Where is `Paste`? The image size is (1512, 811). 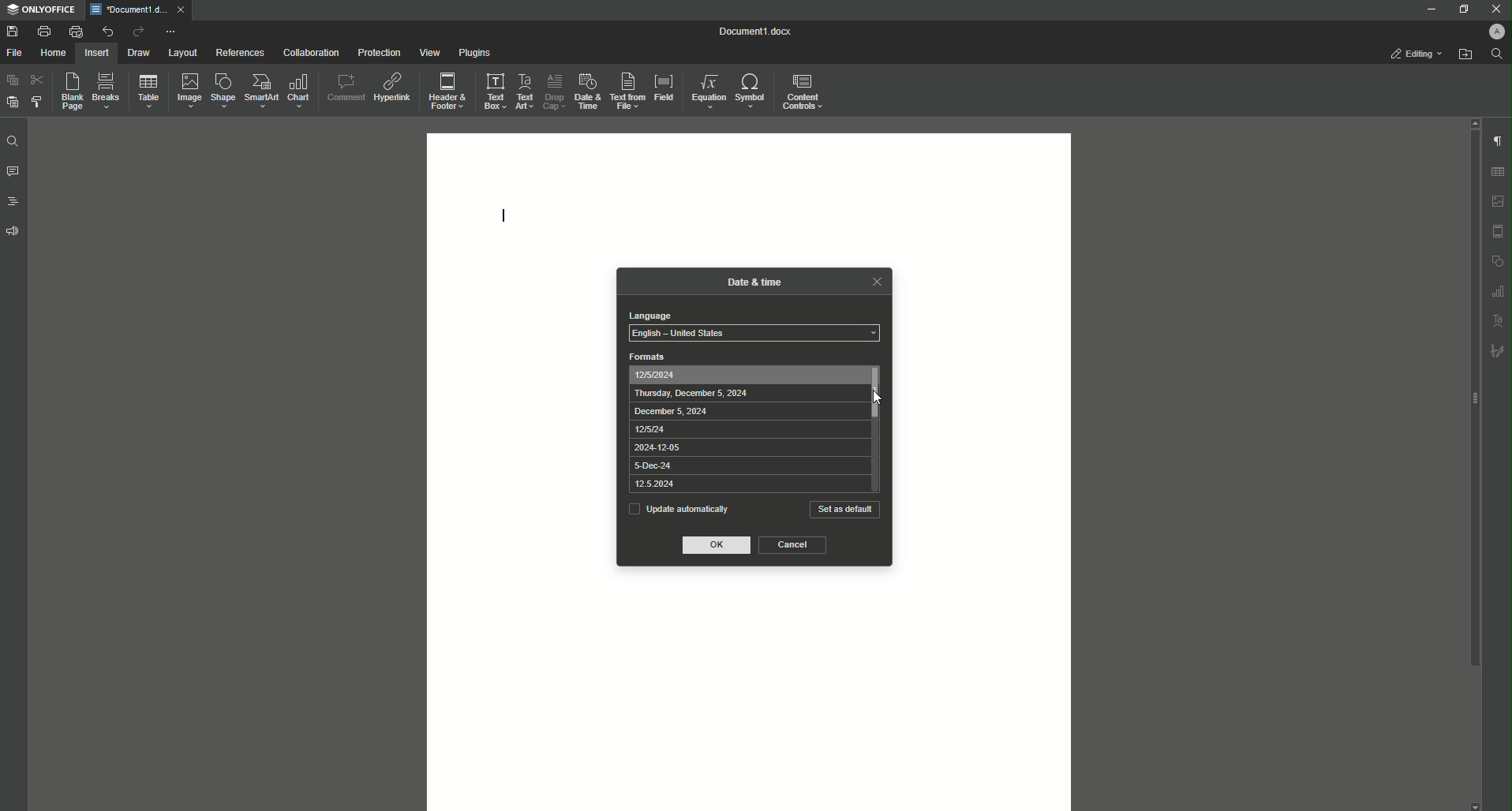
Paste is located at coordinates (11, 80).